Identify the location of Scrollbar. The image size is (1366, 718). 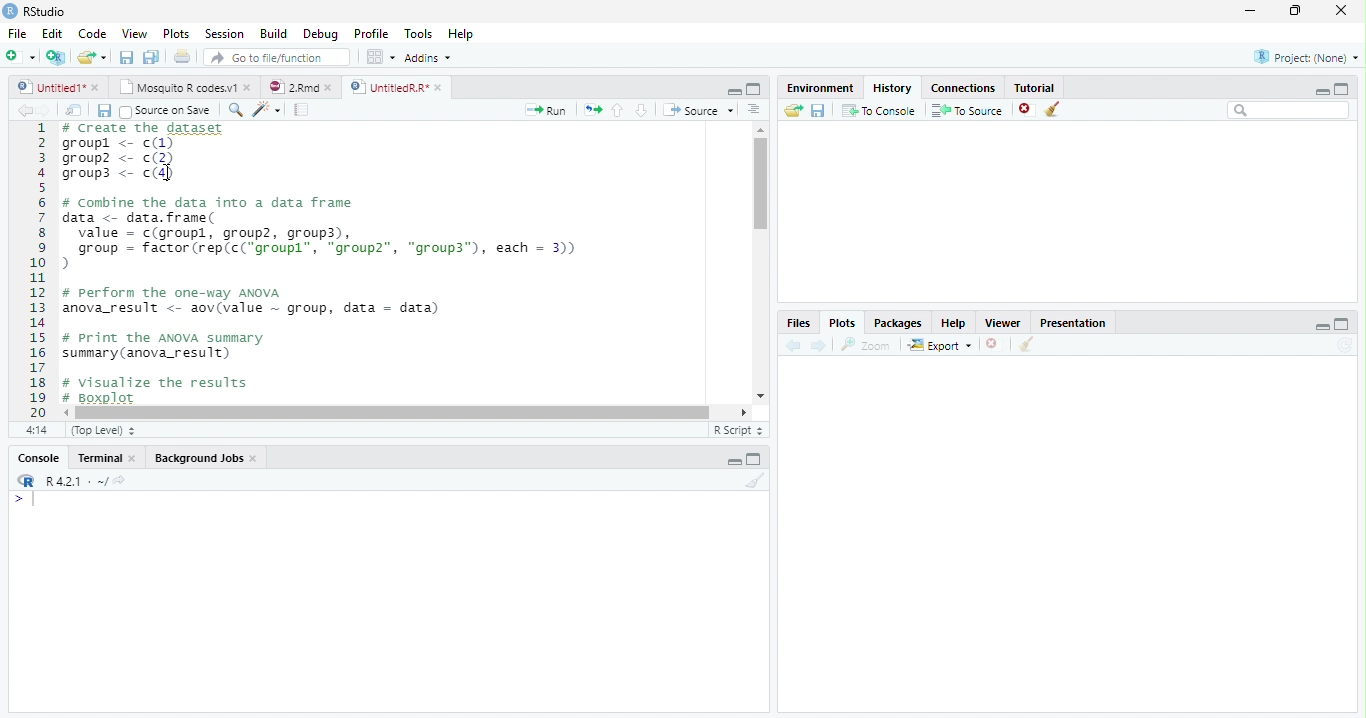
(408, 411).